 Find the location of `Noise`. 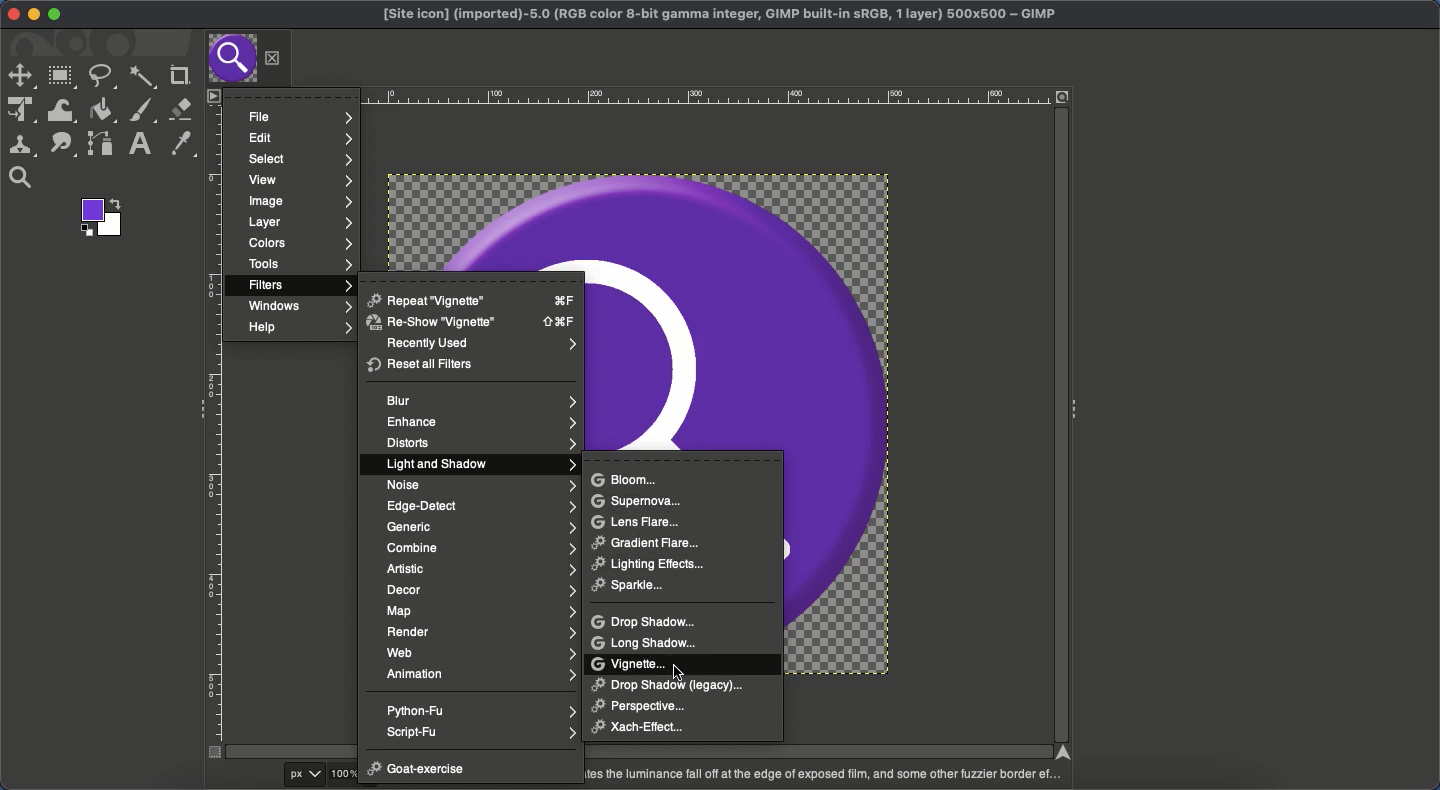

Noise is located at coordinates (480, 484).